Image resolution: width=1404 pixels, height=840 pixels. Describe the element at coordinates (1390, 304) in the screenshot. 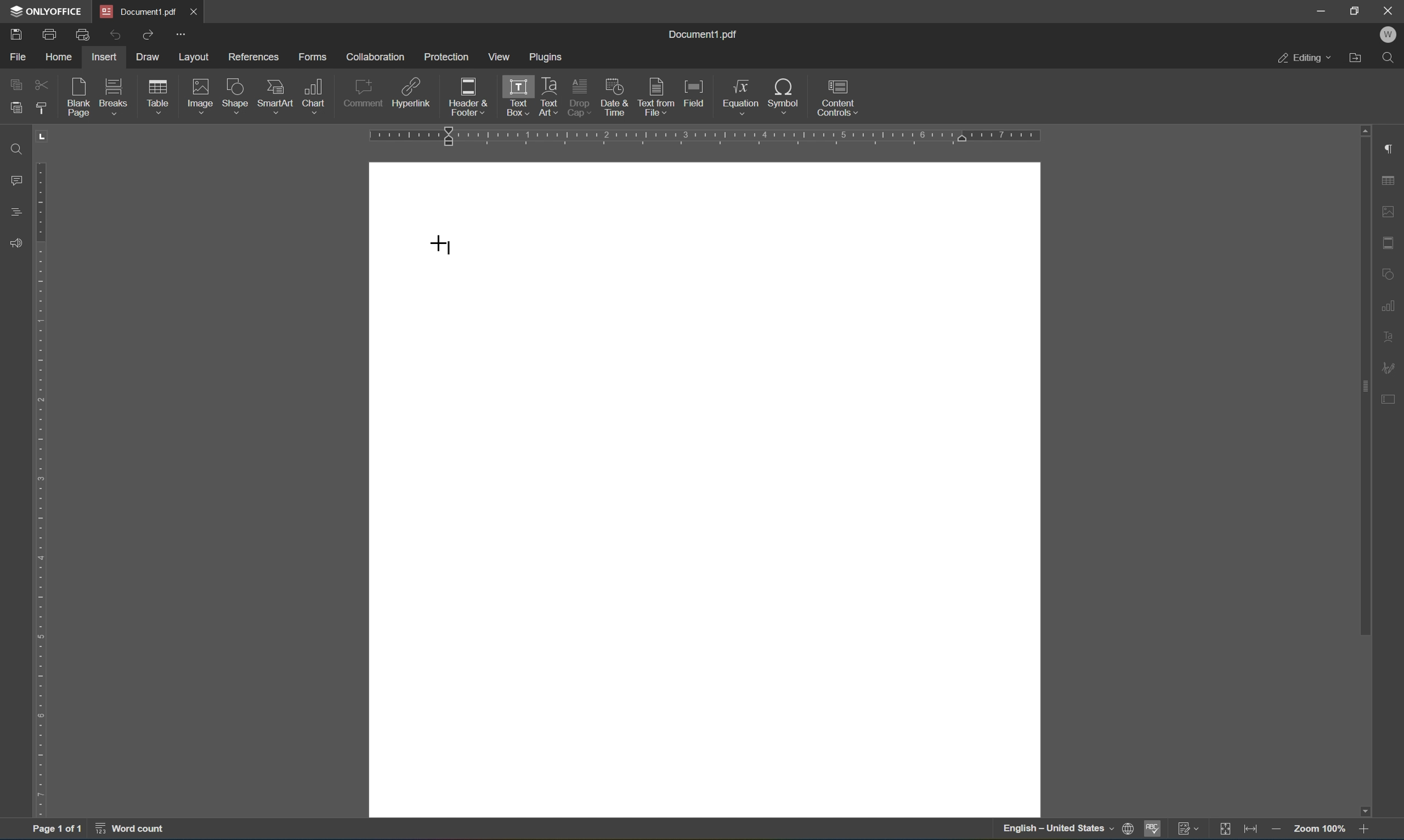

I see `Chart settings` at that location.